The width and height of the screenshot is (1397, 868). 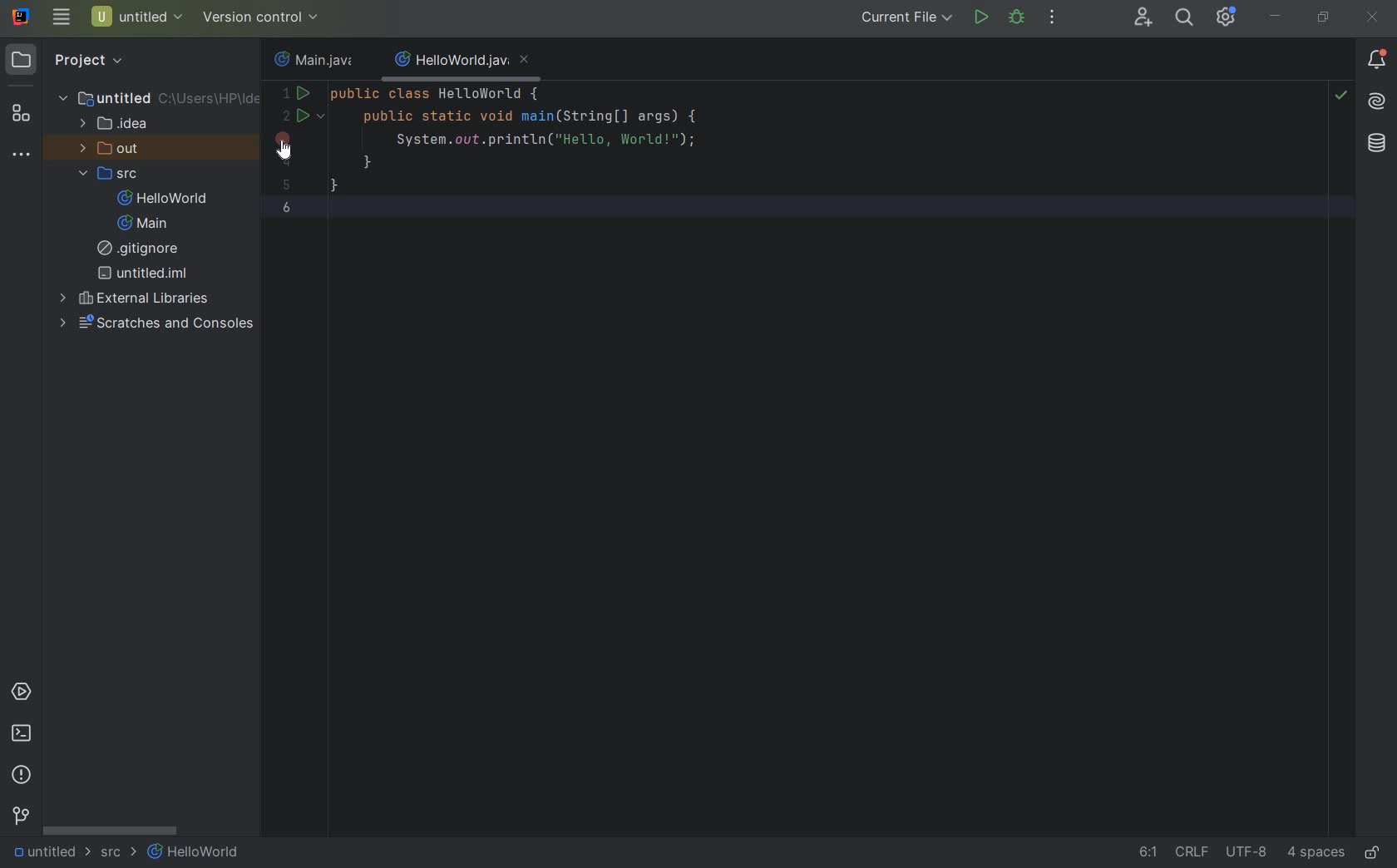 What do you see at coordinates (1143, 855) in the screenshot?
I see `go to line` at bounding box center [1143, 855].